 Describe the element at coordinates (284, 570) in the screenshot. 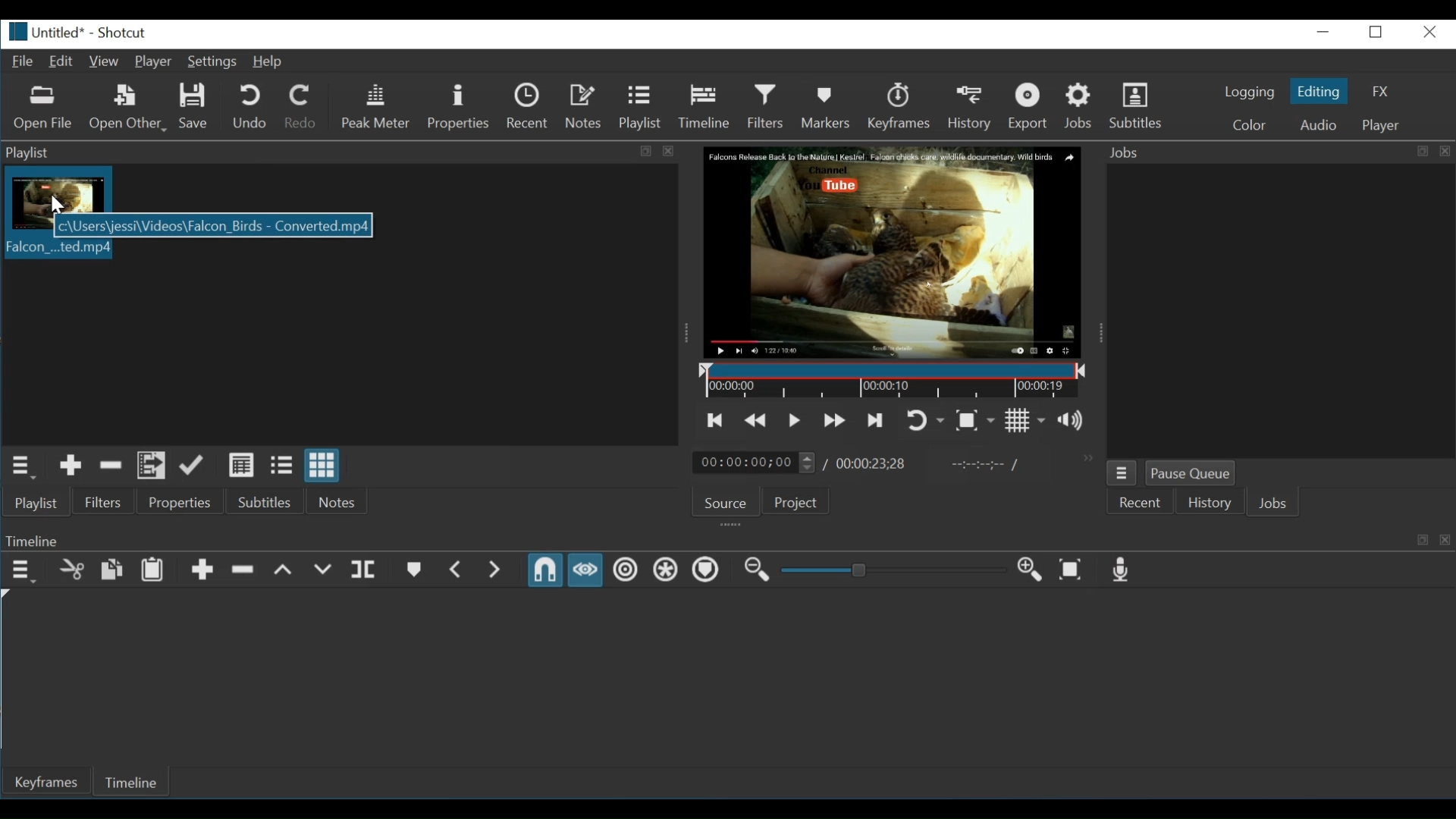

I see `lift ` at that location.